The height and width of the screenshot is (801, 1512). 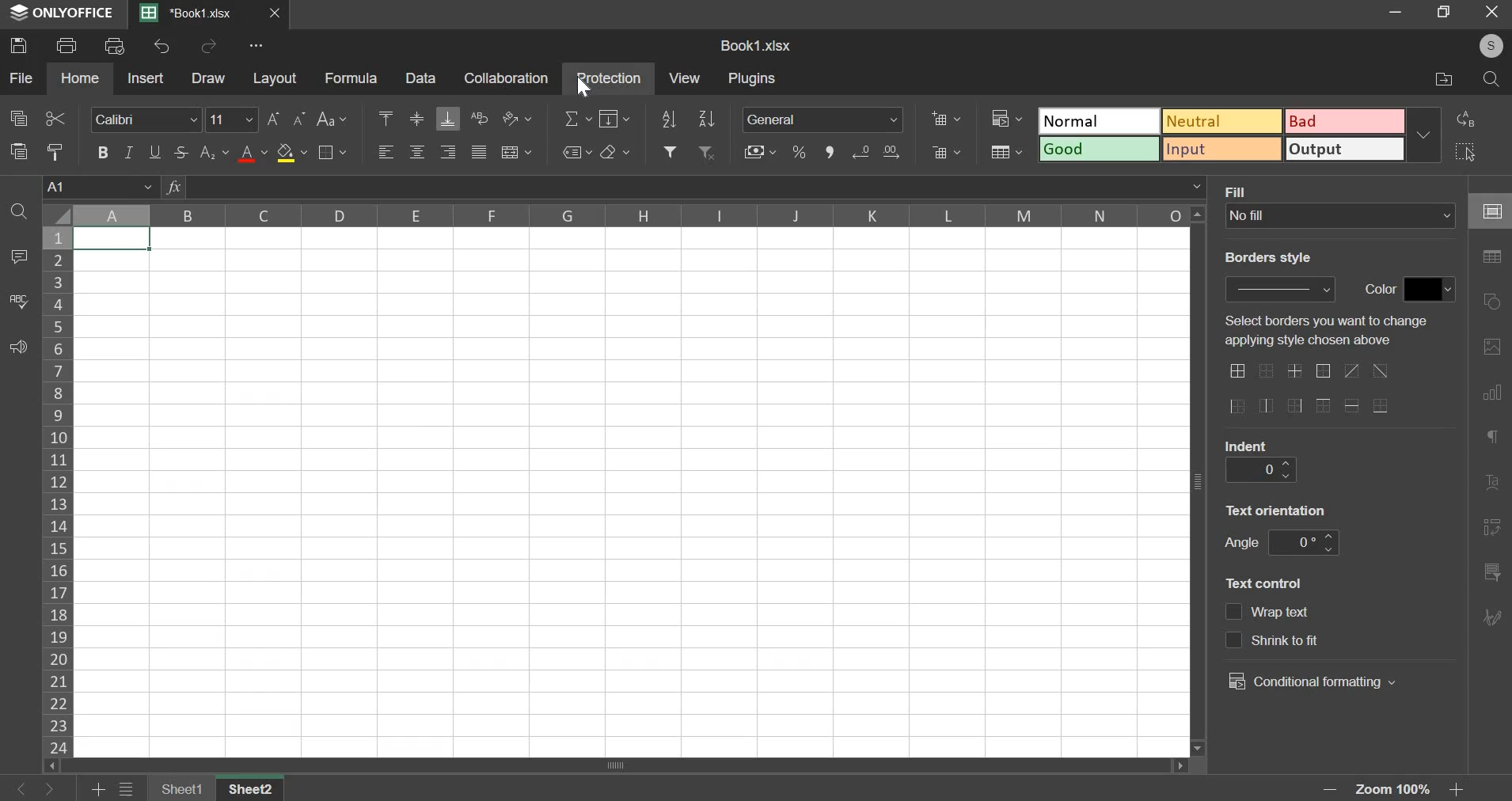 I want to click on angle, so click(x=1301, y=543).